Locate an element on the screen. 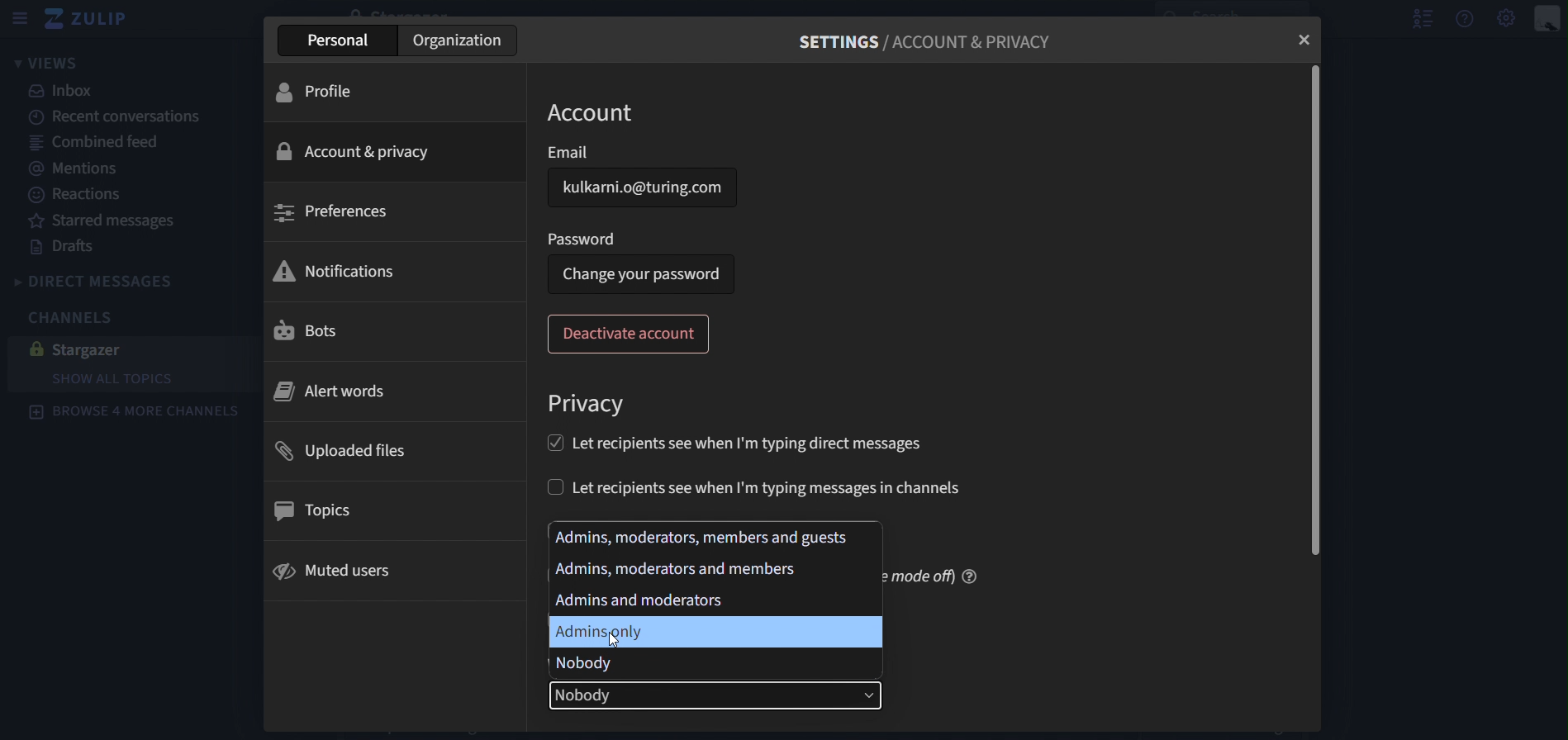 The height and width of the screenshot is (740, 1568). inbox is located at coordinates (67, 93).